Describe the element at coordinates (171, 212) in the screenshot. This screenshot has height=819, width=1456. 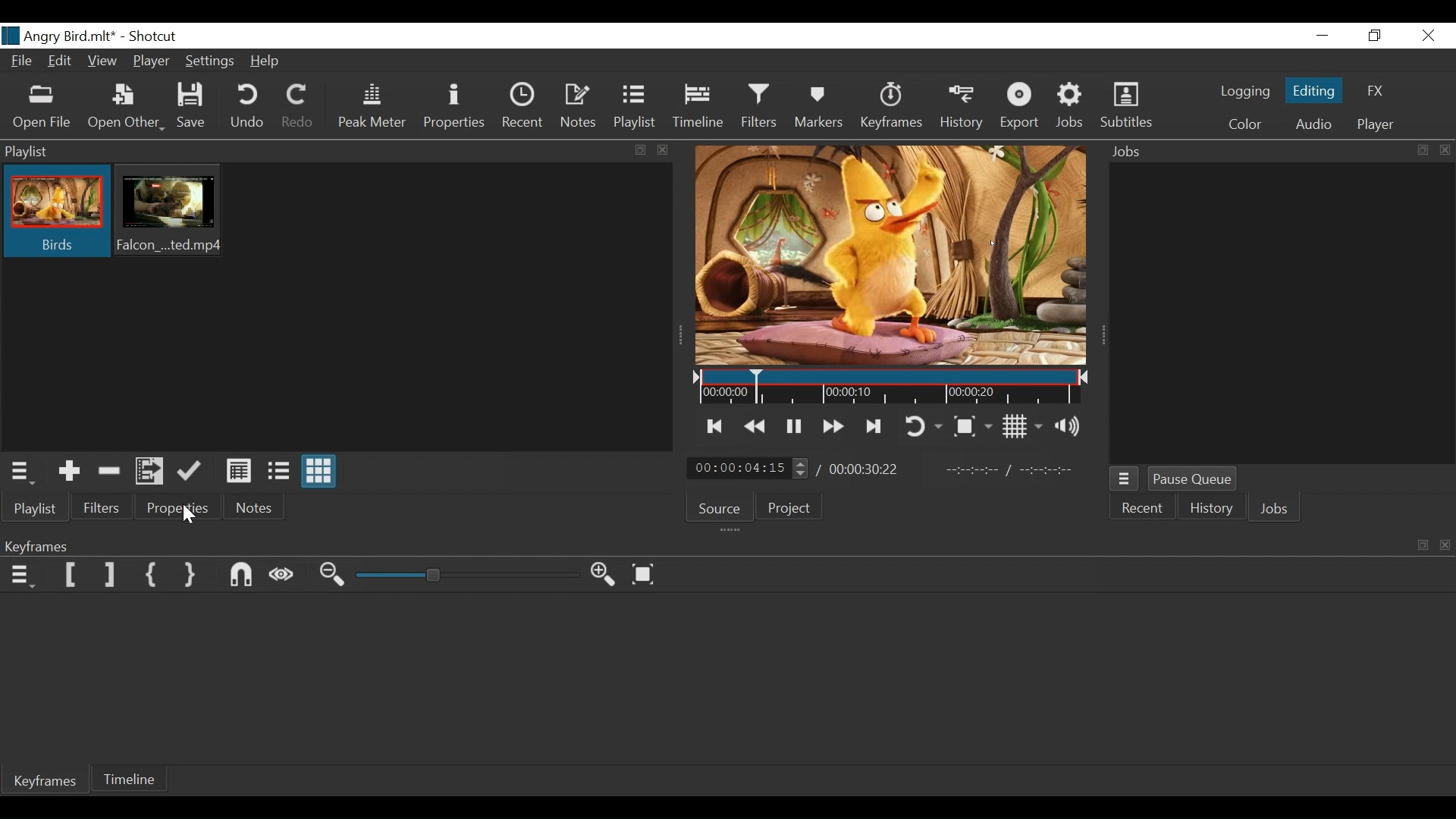
I see `Clip` at that location.